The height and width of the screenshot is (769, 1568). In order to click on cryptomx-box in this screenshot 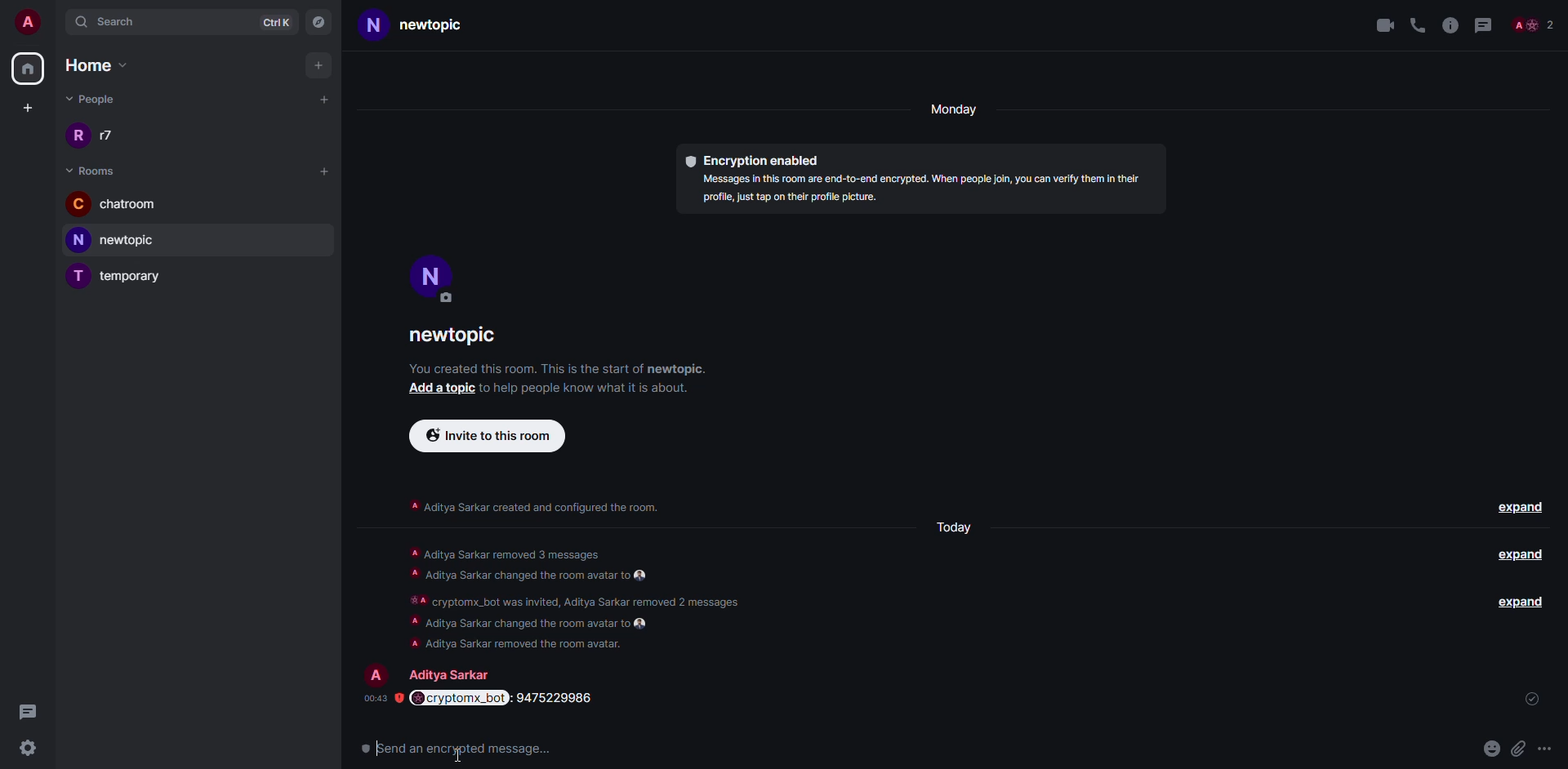, I will do `click(459, 696)`.